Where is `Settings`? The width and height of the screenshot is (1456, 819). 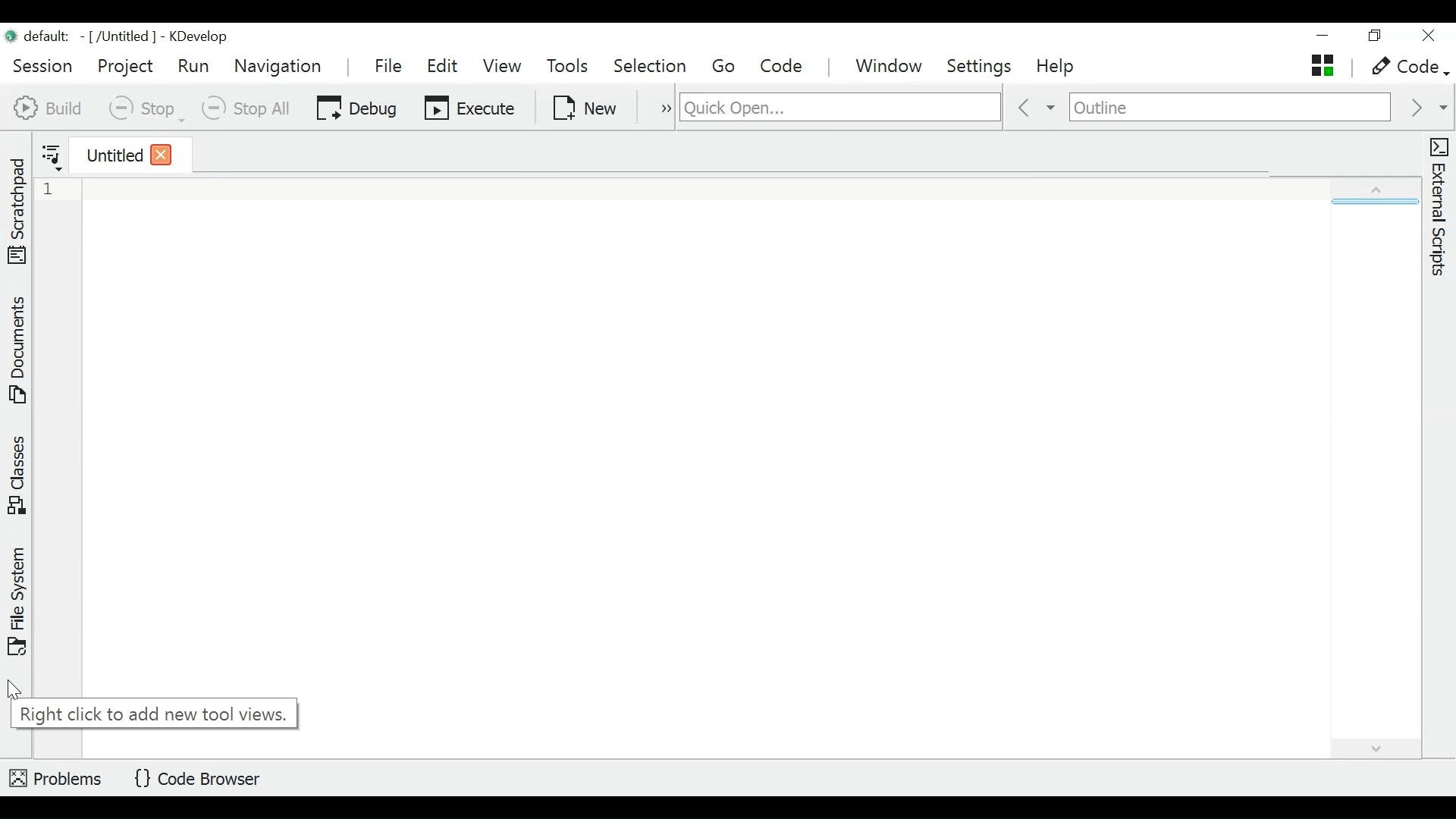
Settings is located at coordinates (981, 68).